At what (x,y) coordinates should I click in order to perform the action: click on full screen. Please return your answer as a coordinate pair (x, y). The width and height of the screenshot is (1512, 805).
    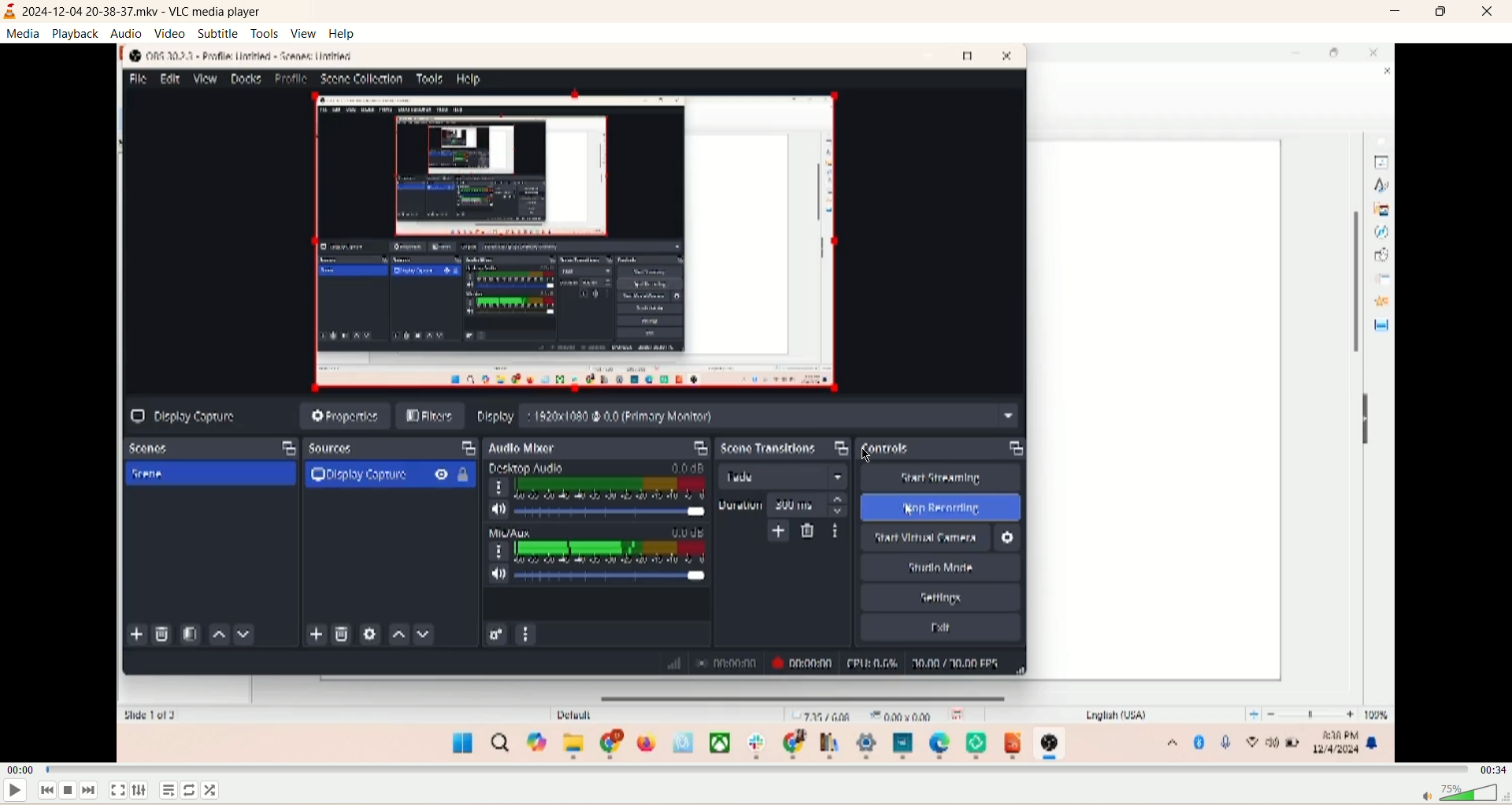
    Looking at the image, I should click on (117, 790).